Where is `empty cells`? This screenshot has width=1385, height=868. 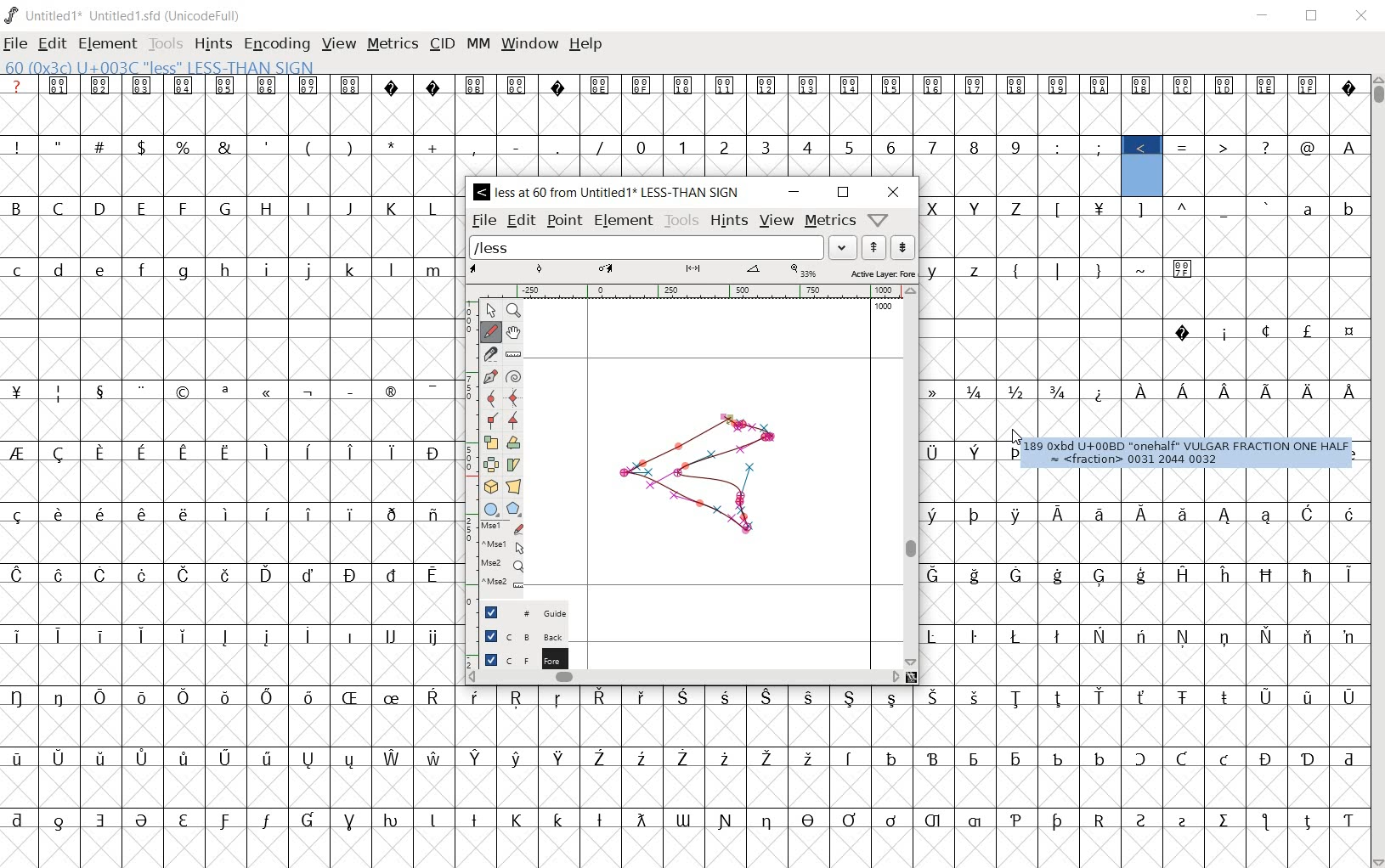
empty cells is located at coordinates (228, 604).